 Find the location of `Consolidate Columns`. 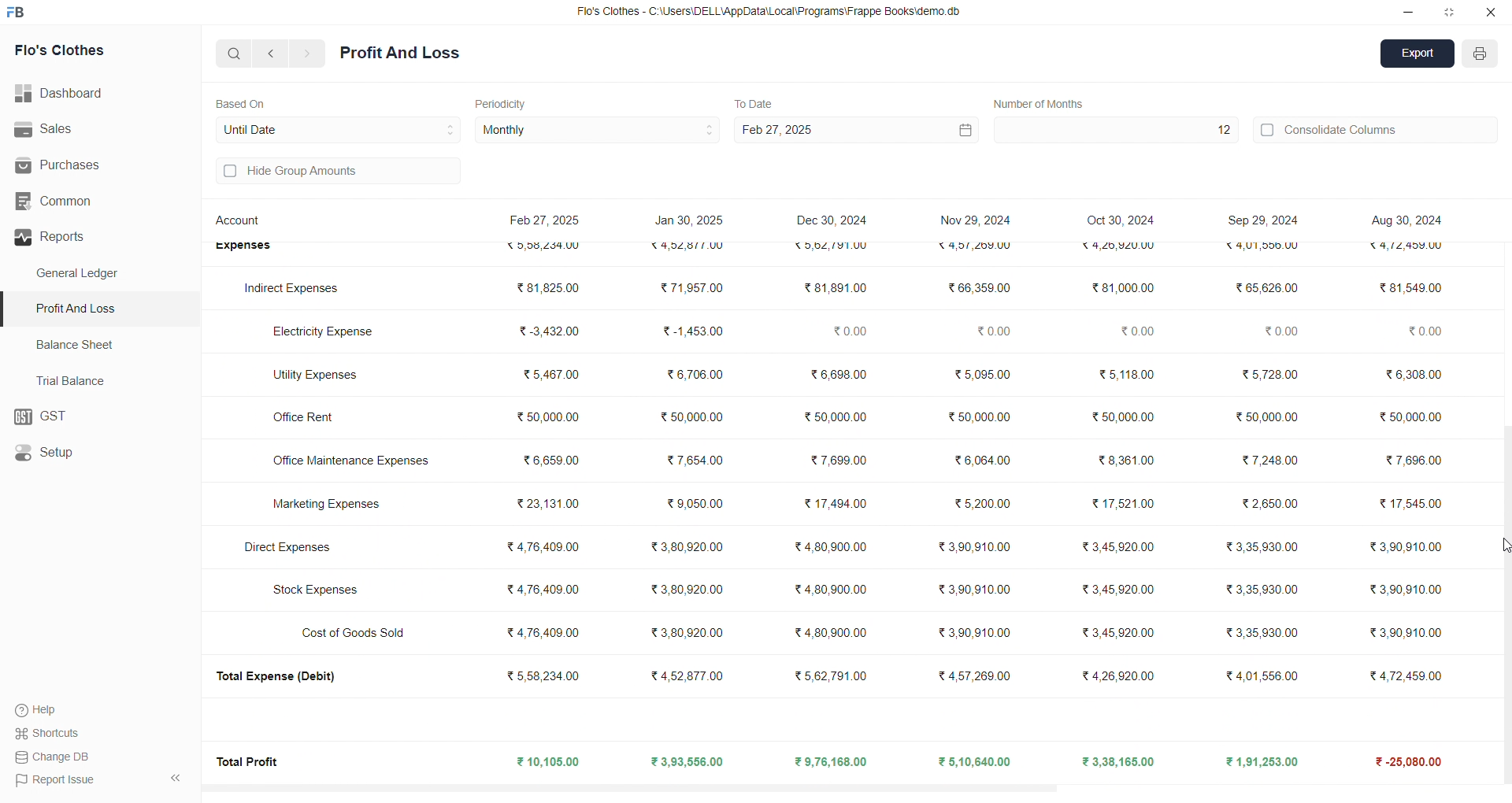

Consolidate Columns is located at coordinates (1377, 128).